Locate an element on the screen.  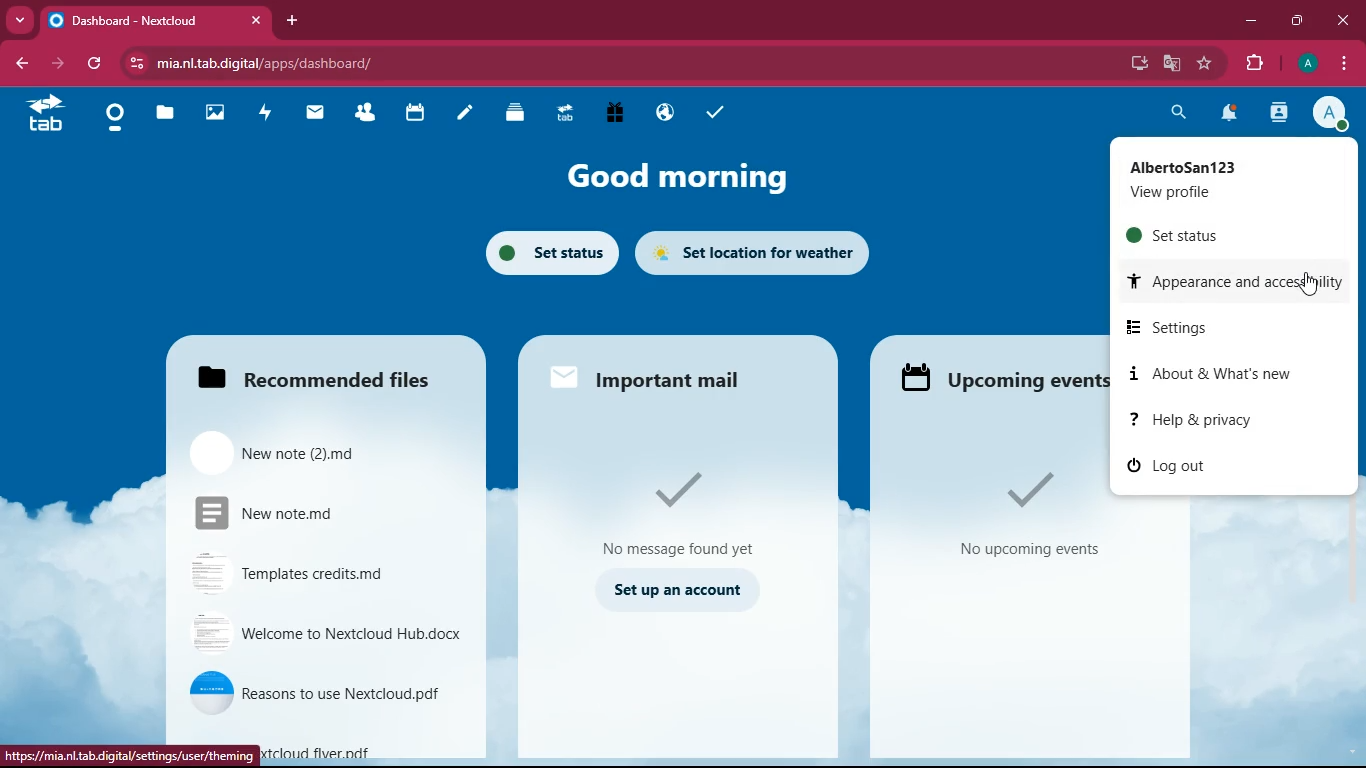
google translate is located at coordinates (1170, 66).